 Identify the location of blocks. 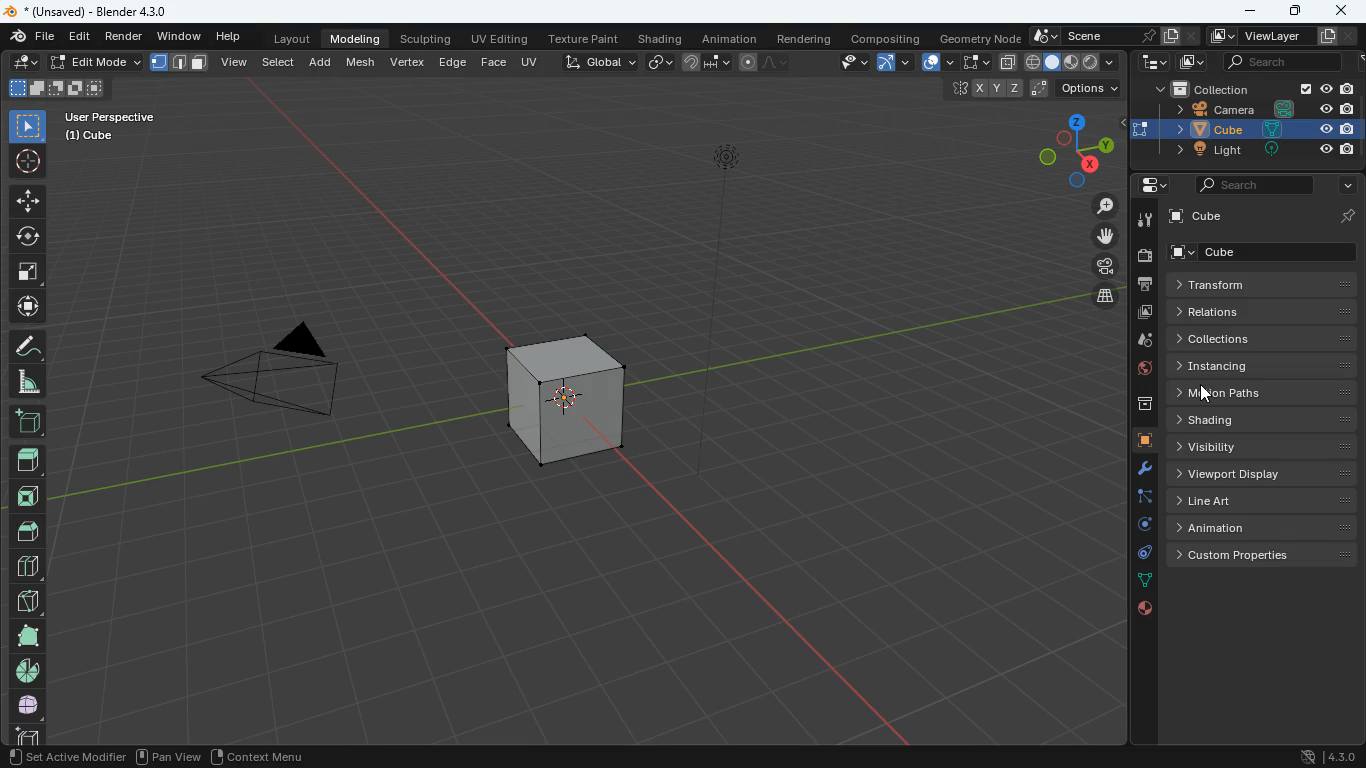
(26, 568).